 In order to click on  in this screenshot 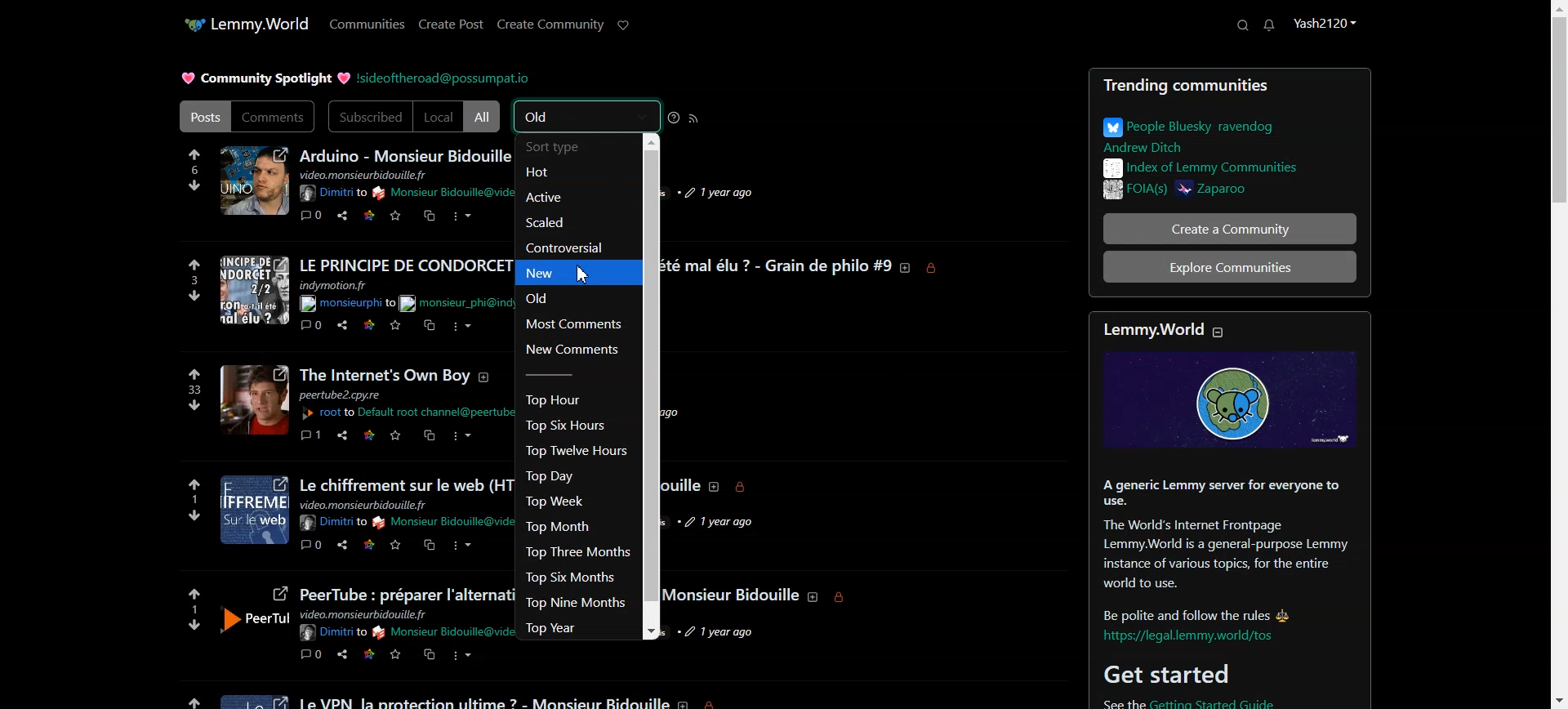, I will do `click(713, 193)`.